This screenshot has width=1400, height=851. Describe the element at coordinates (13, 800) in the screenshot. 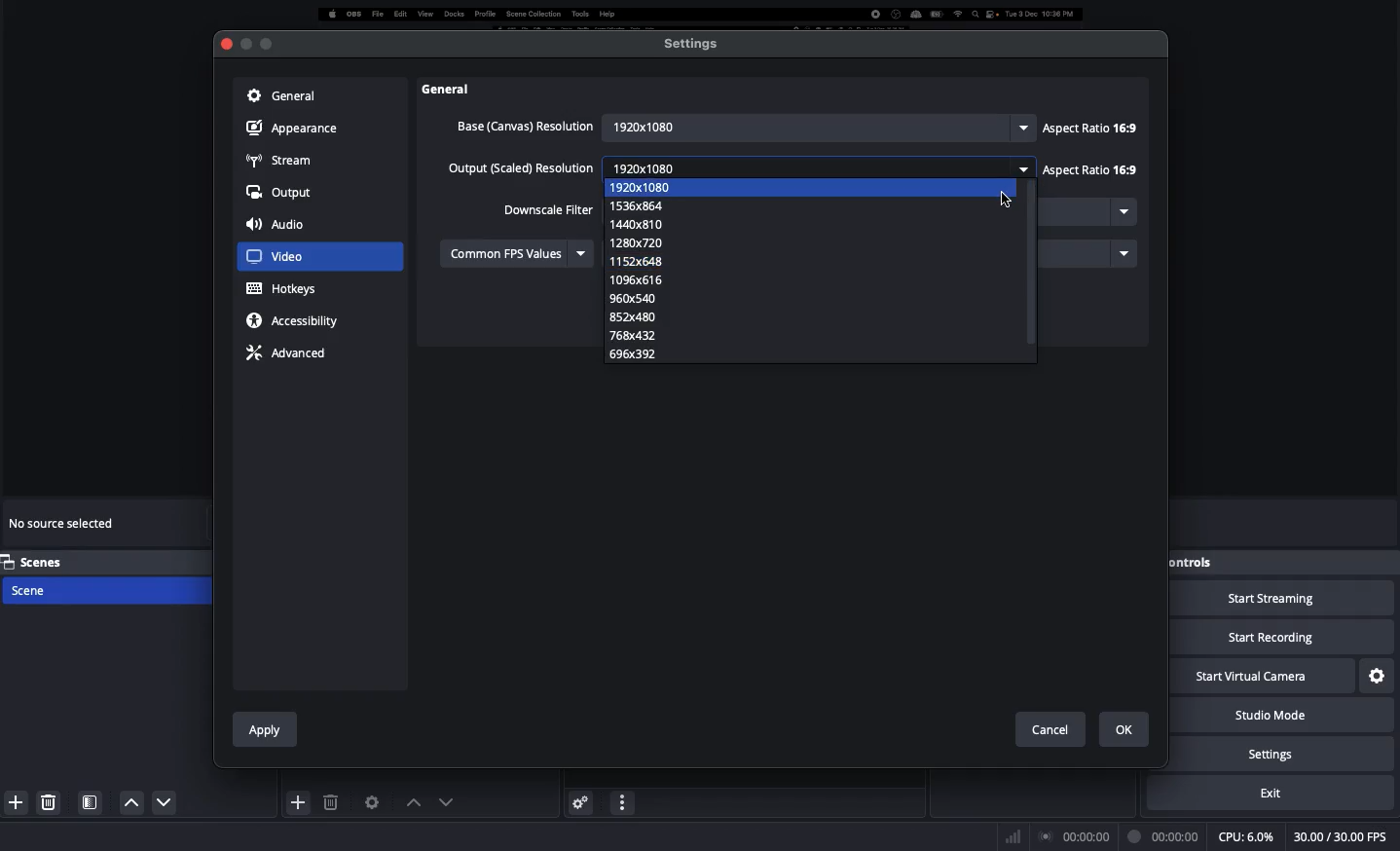

I see `Add` at that location.